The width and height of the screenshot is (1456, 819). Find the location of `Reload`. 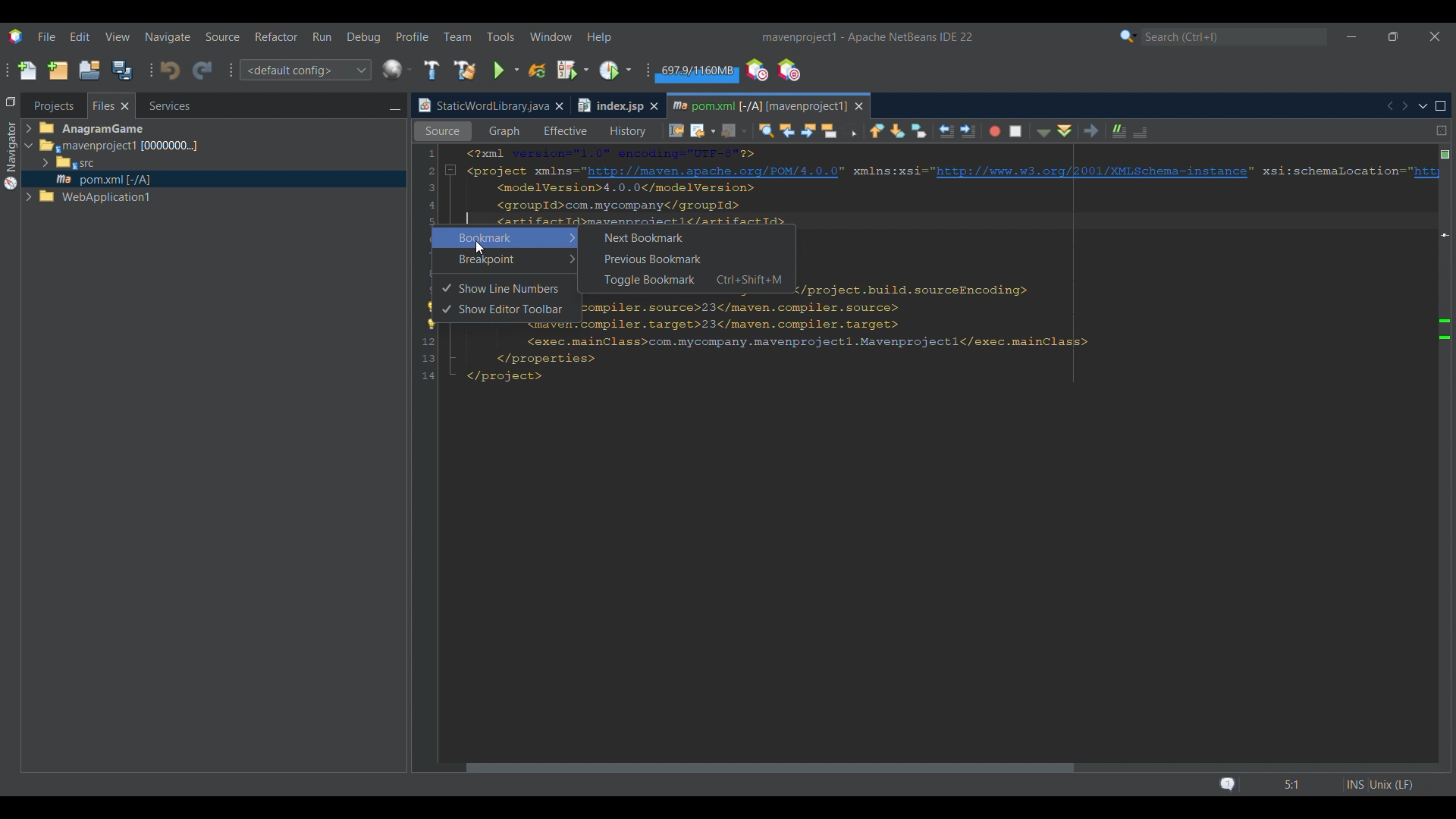

Reload is located at coordinates (538, 71).